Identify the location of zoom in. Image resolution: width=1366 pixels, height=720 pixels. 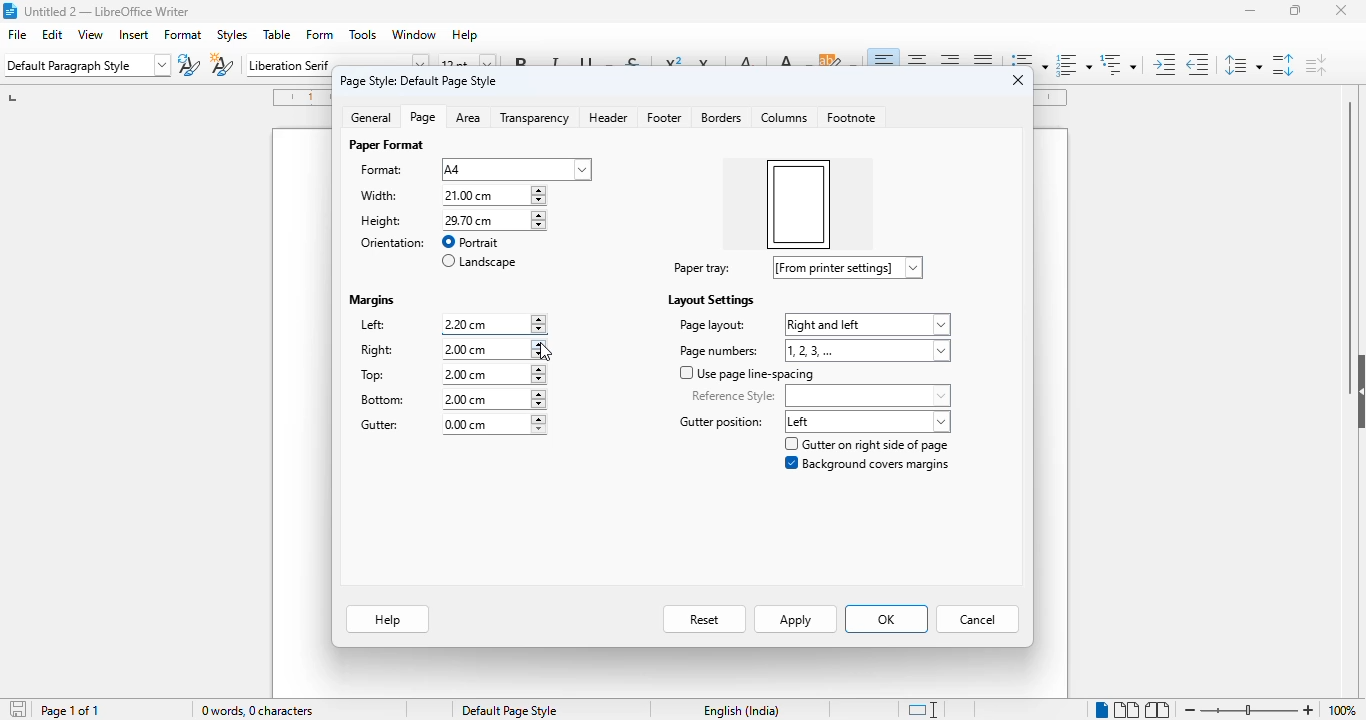
(1308, 710).